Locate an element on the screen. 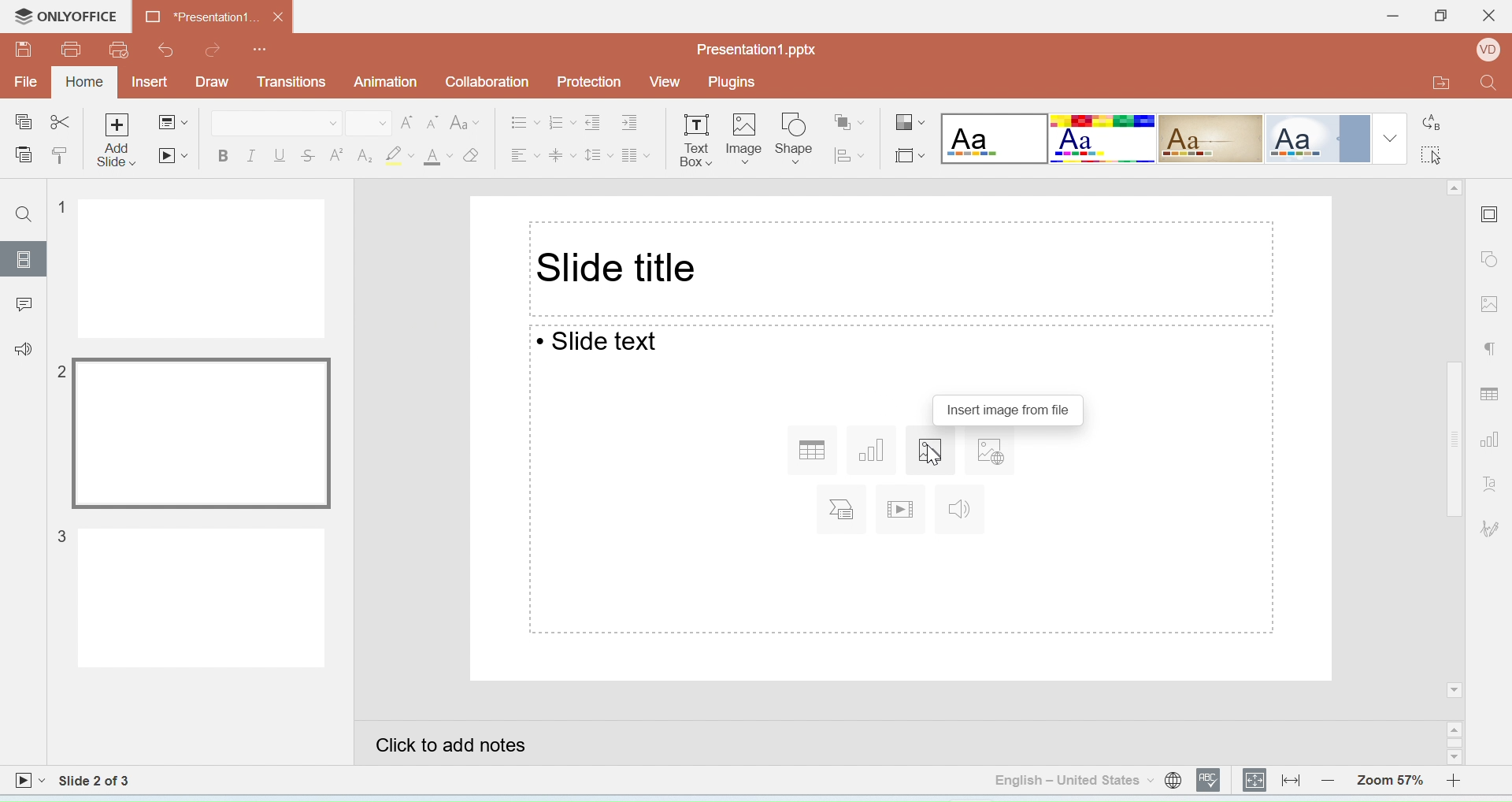 Image resolution: width=1512 pixels, height=802 pixels. Drop down is located at coordinates (1391, 138).